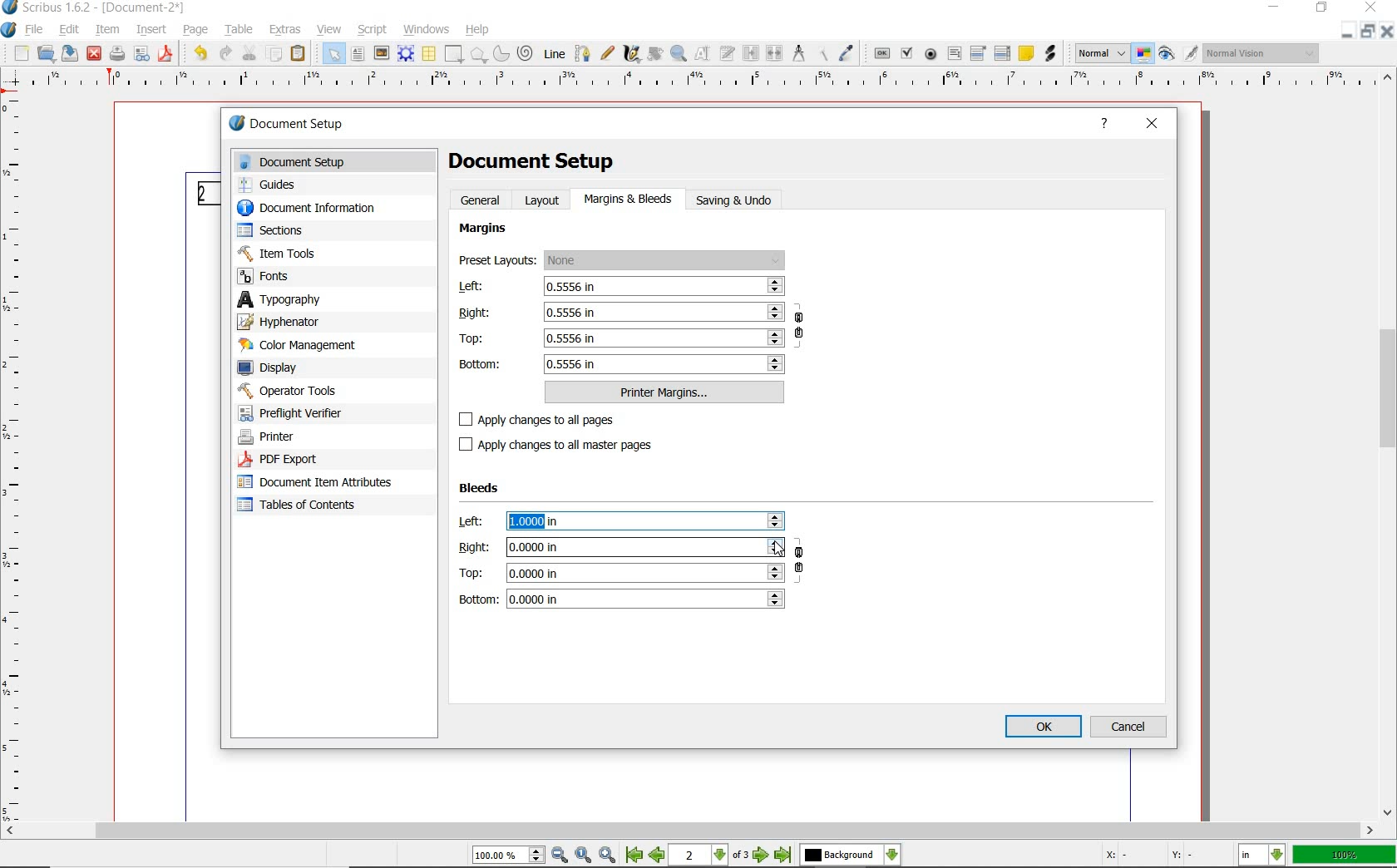 The height and width of the screenshot is (868, 1397). I want to click on link annotation, so click(1051, 54).